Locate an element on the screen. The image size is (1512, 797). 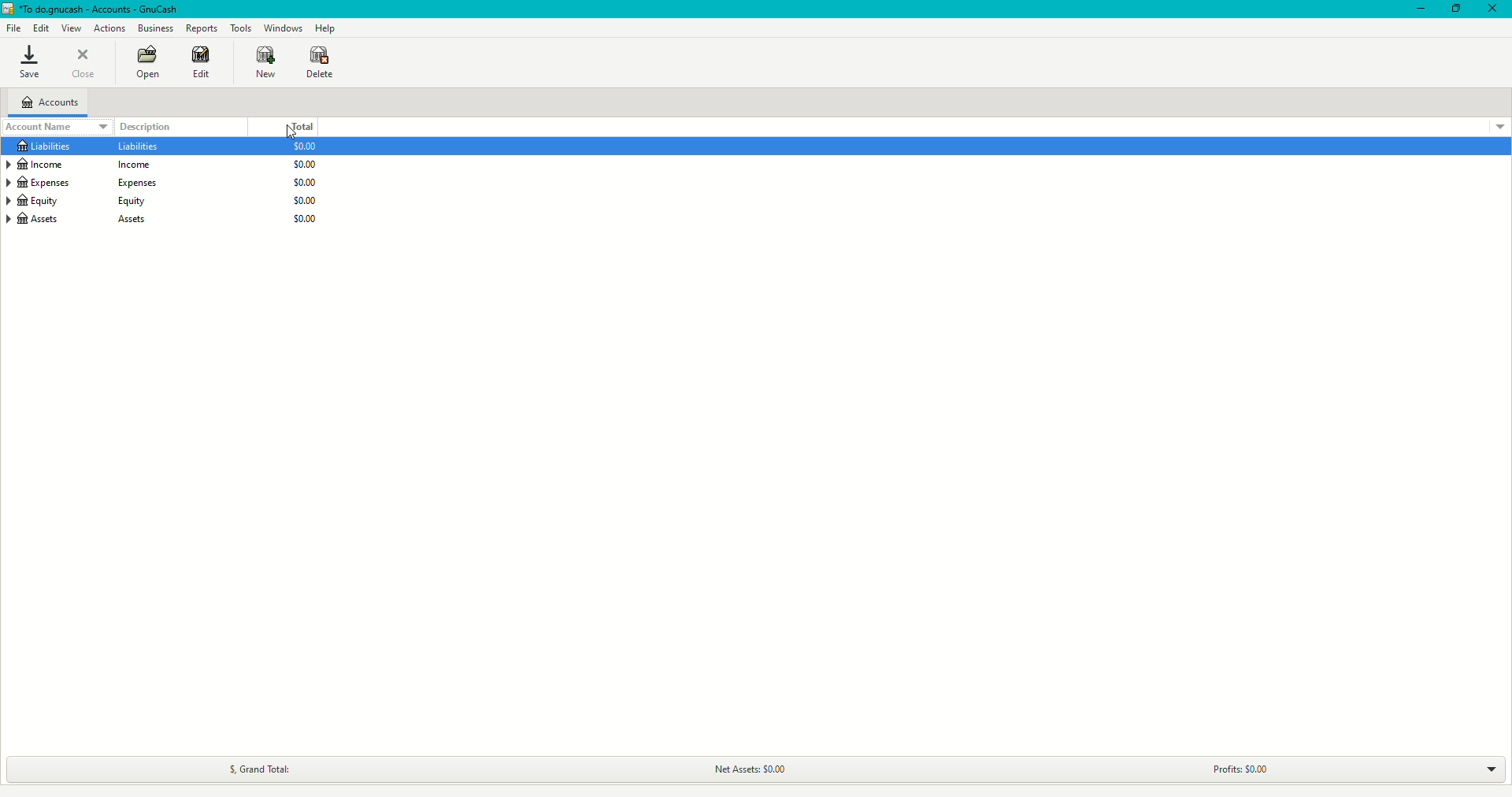
Total is located at coordinates (301, 125).